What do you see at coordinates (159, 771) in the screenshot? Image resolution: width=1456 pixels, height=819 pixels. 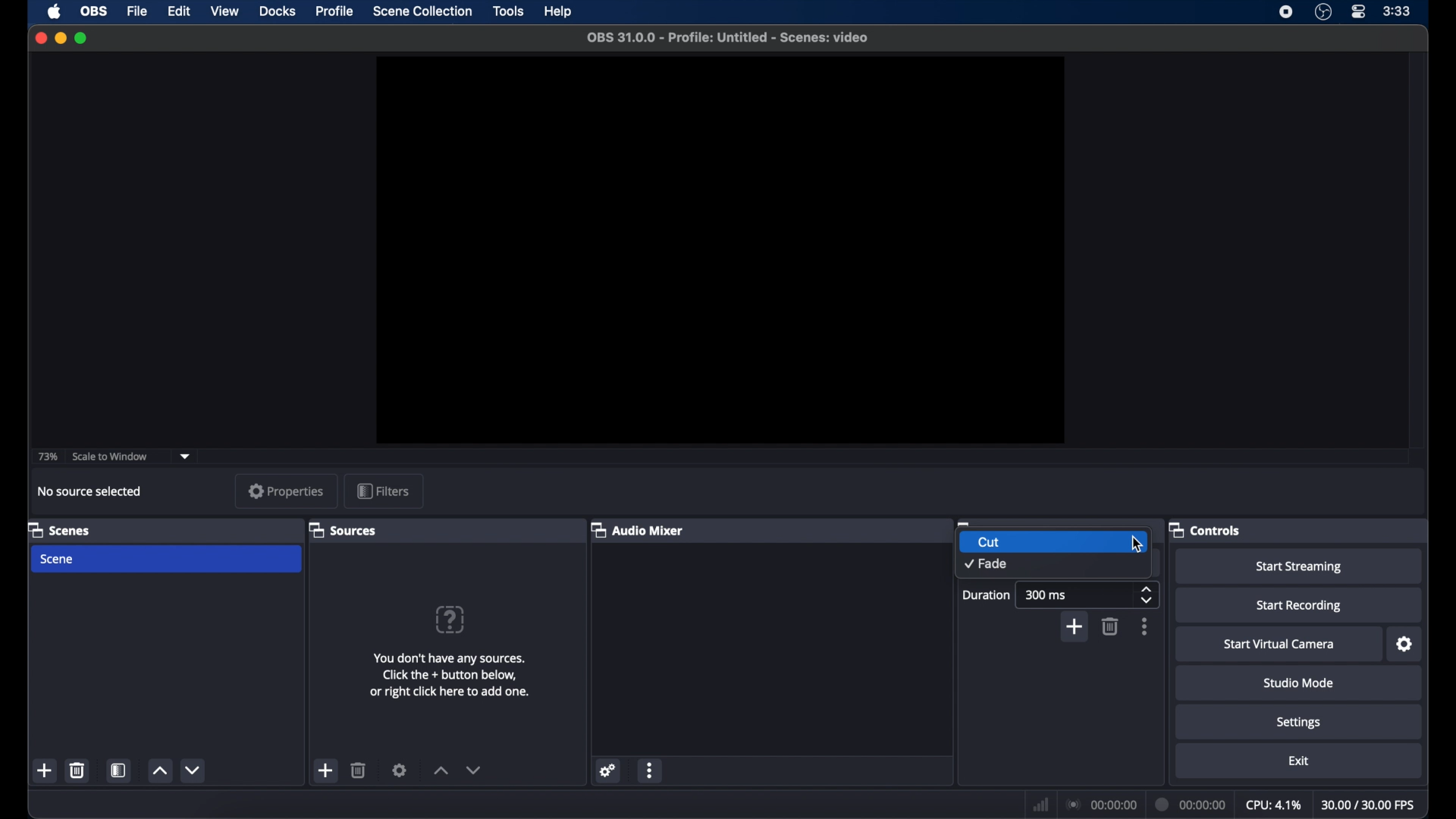 I see `up` at bounding box center [159, 771].